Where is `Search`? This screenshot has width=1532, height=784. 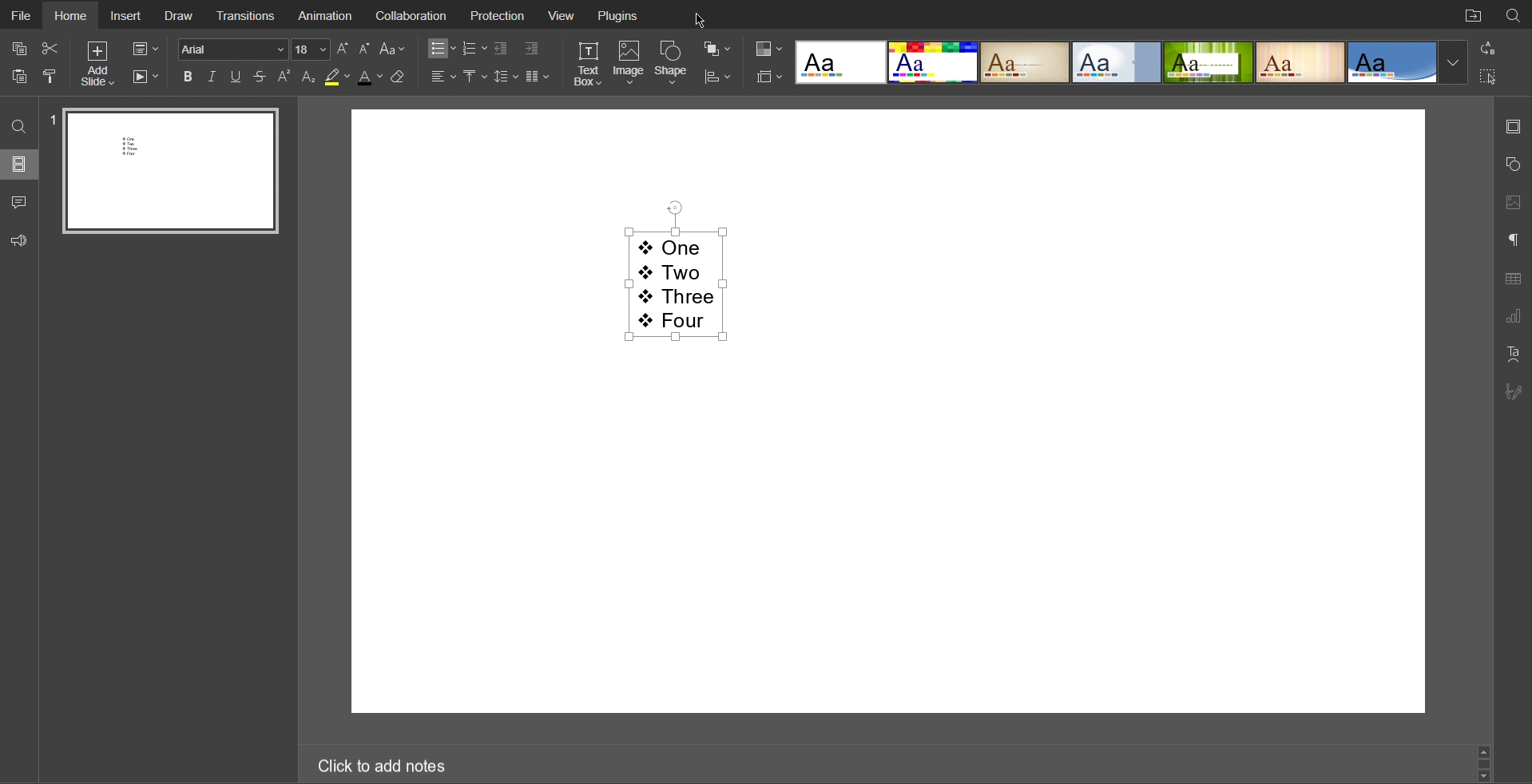 Search is located at coordinates (1514, 14).